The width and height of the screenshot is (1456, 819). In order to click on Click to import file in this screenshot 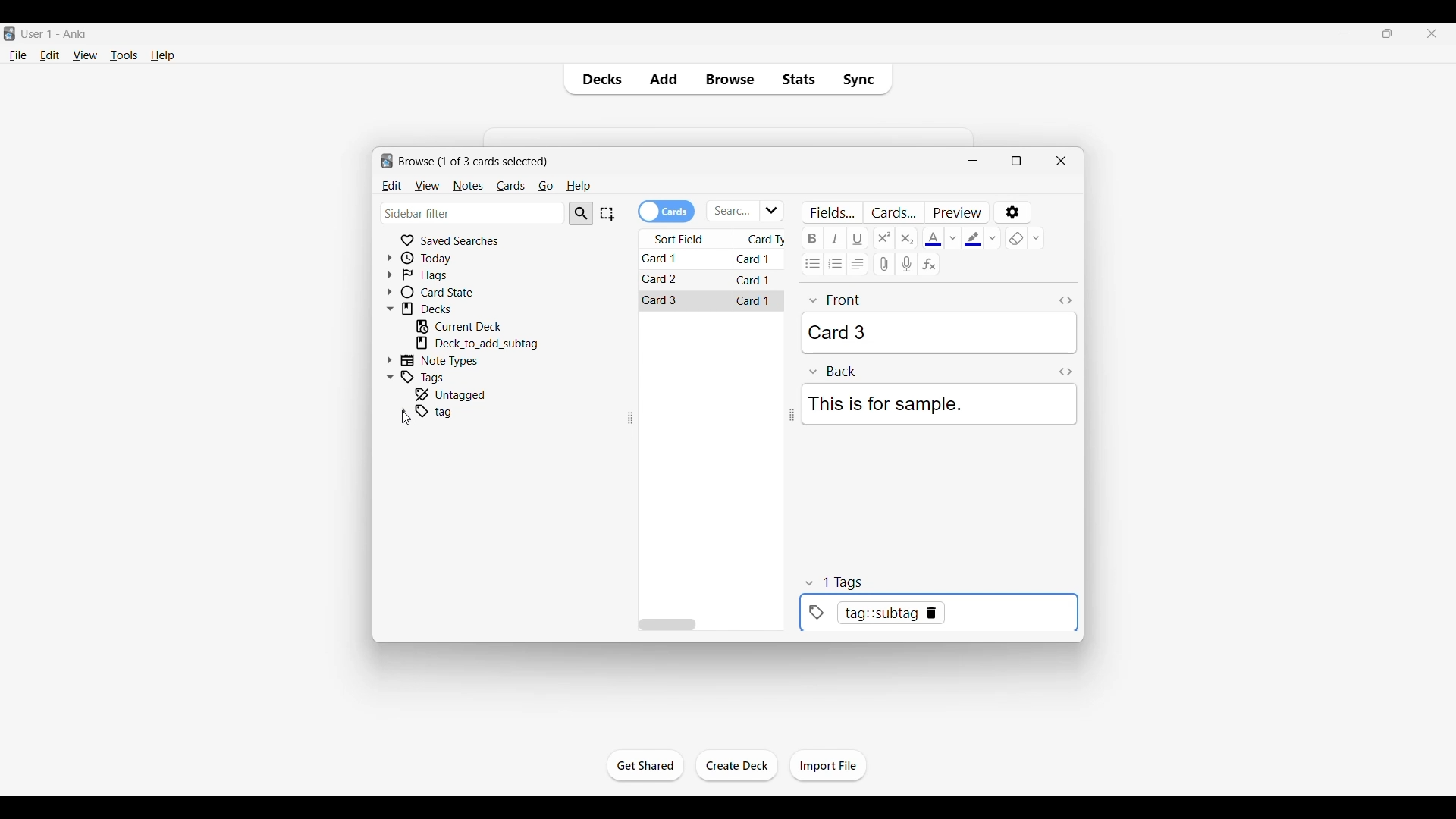, I will do `click(829, 766)`.